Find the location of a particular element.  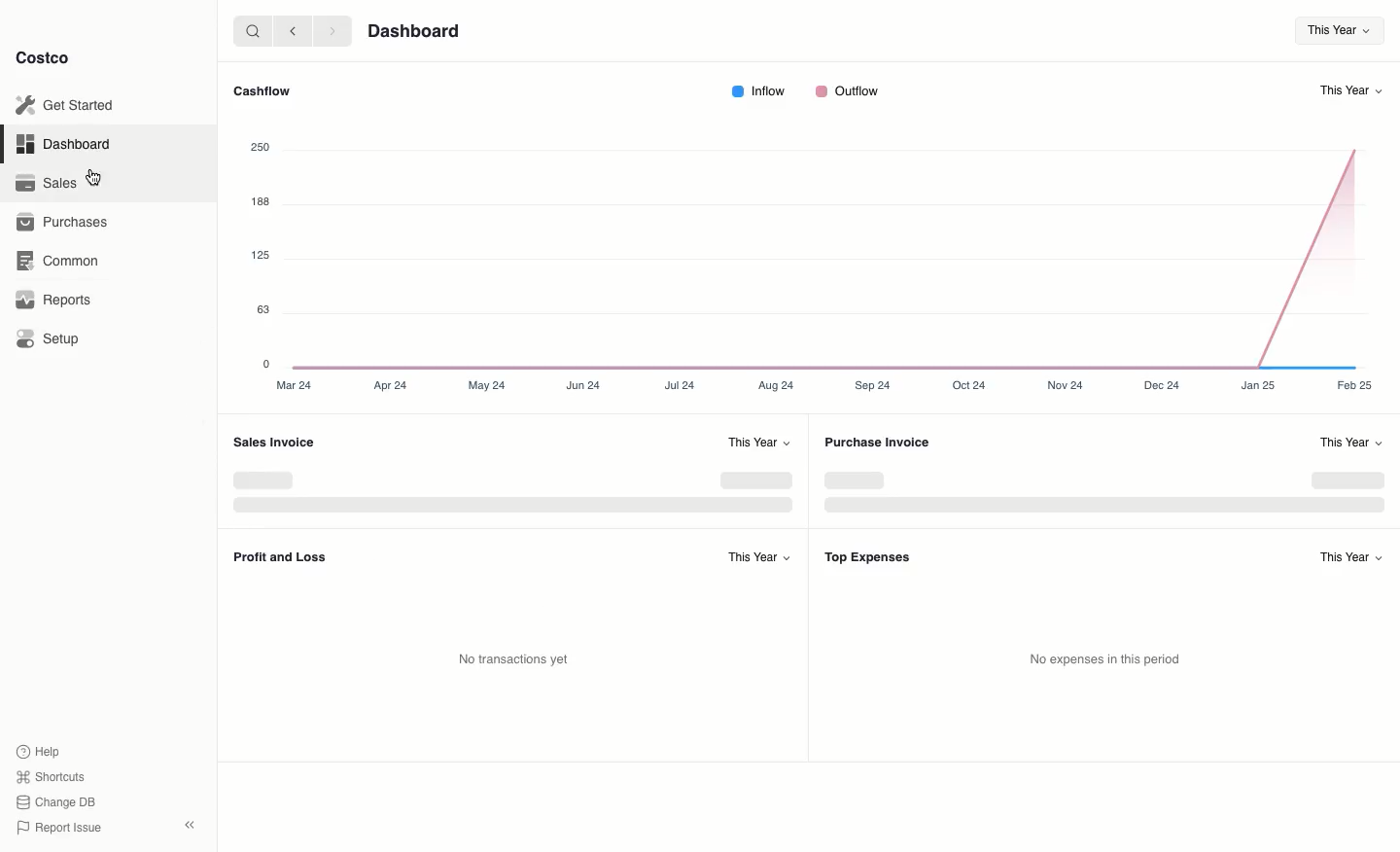

cursor is located at coordinates (94, 177).